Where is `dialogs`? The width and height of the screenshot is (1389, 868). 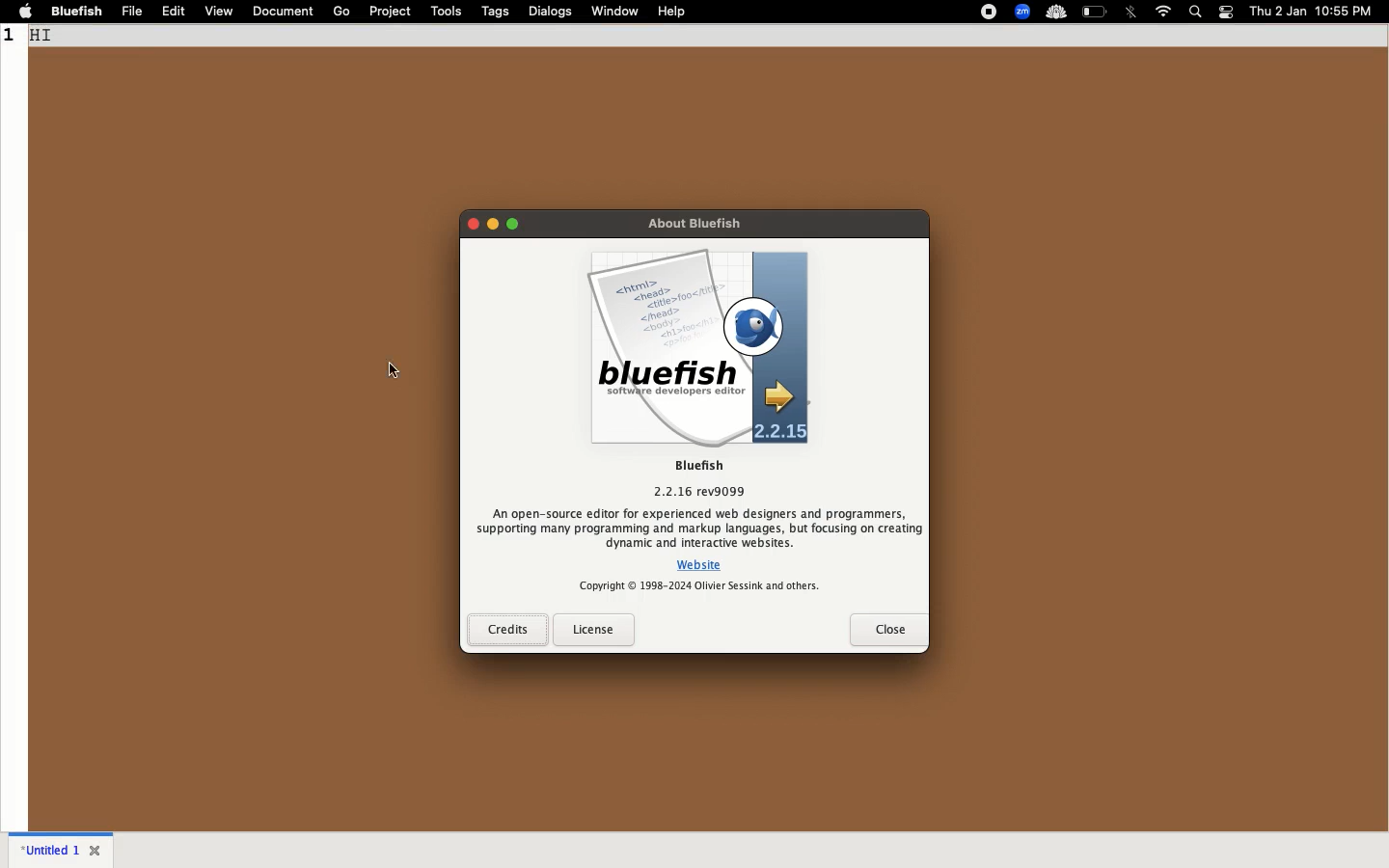 dialogs is located at coordinates (552, 11).